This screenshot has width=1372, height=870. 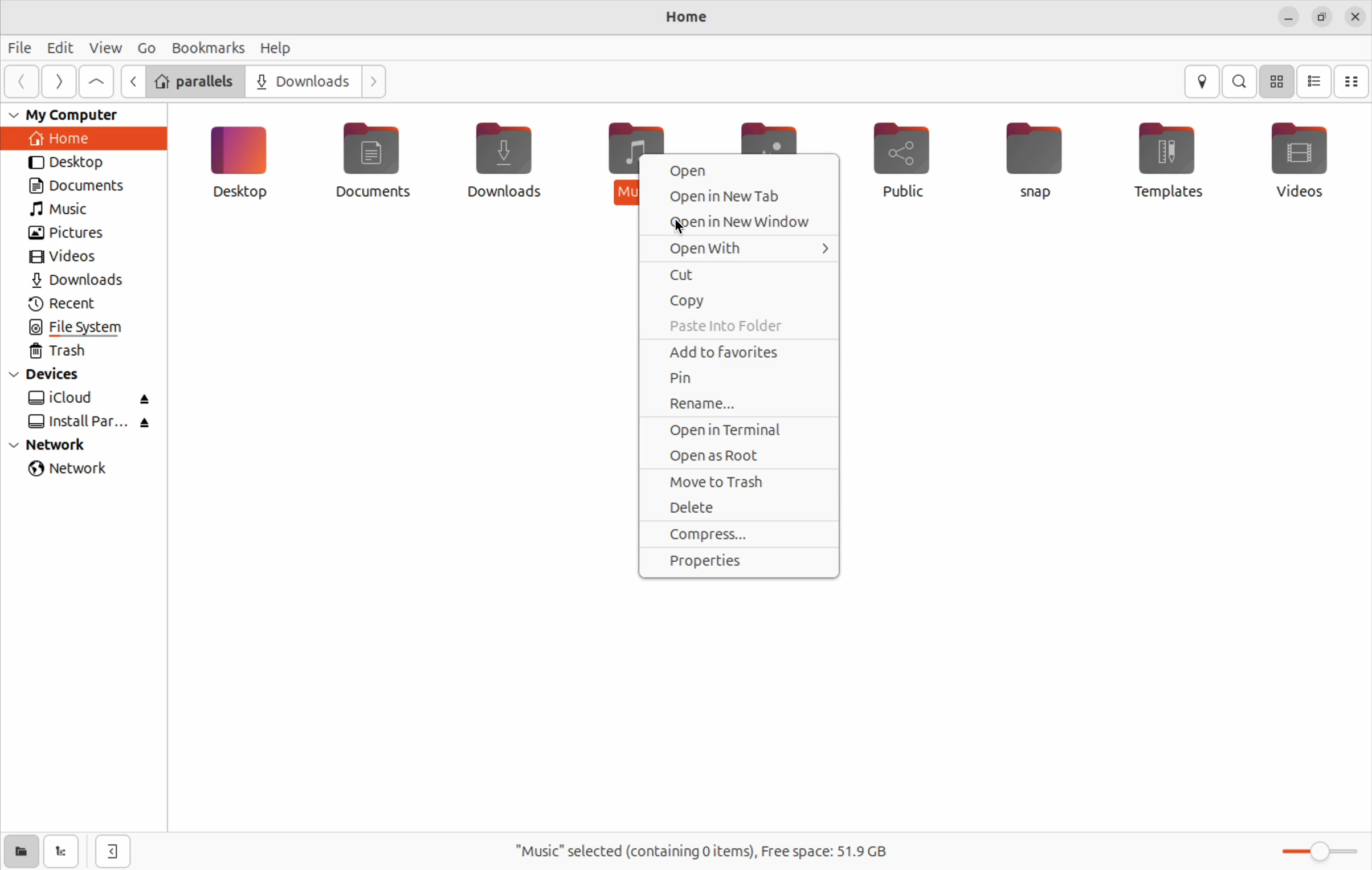 What do you see at coordinates (738, 274) in the screenshot?
I see `cut` at bounding box center [738, 274].